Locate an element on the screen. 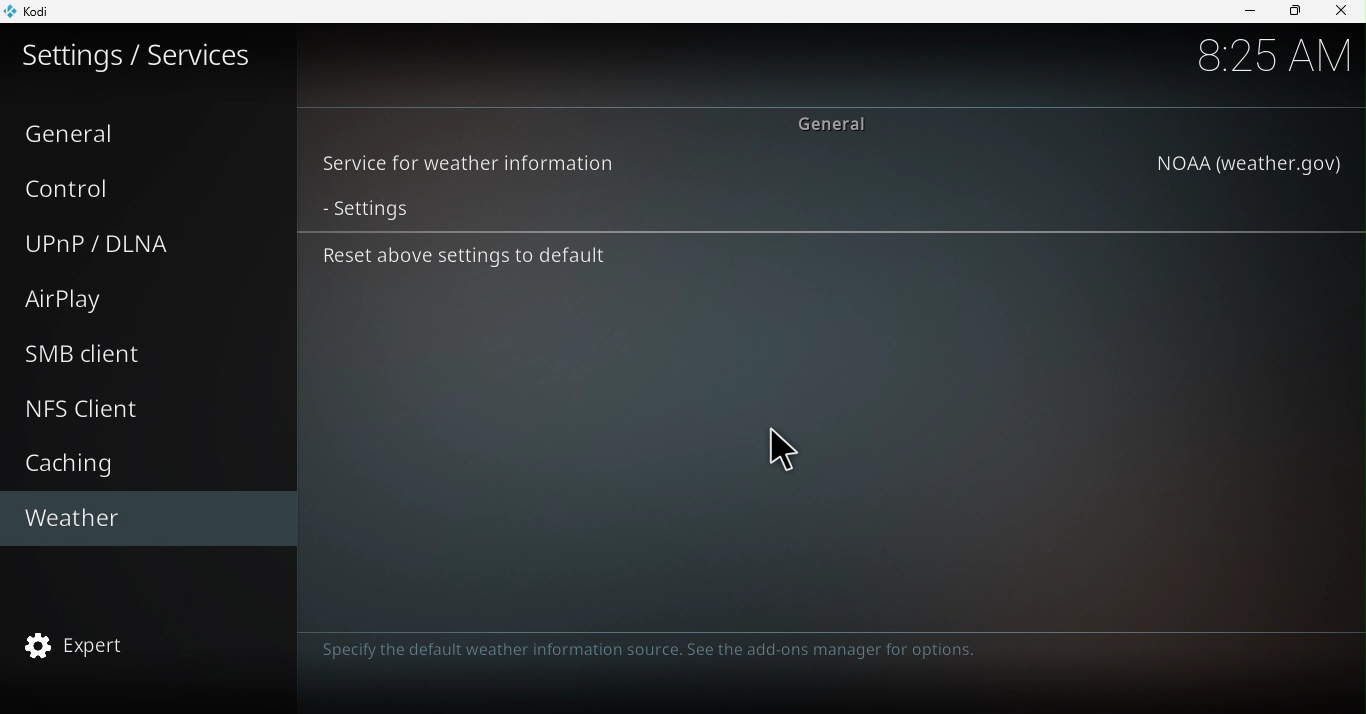  Settings/Services is located at coordinates (140, 63).